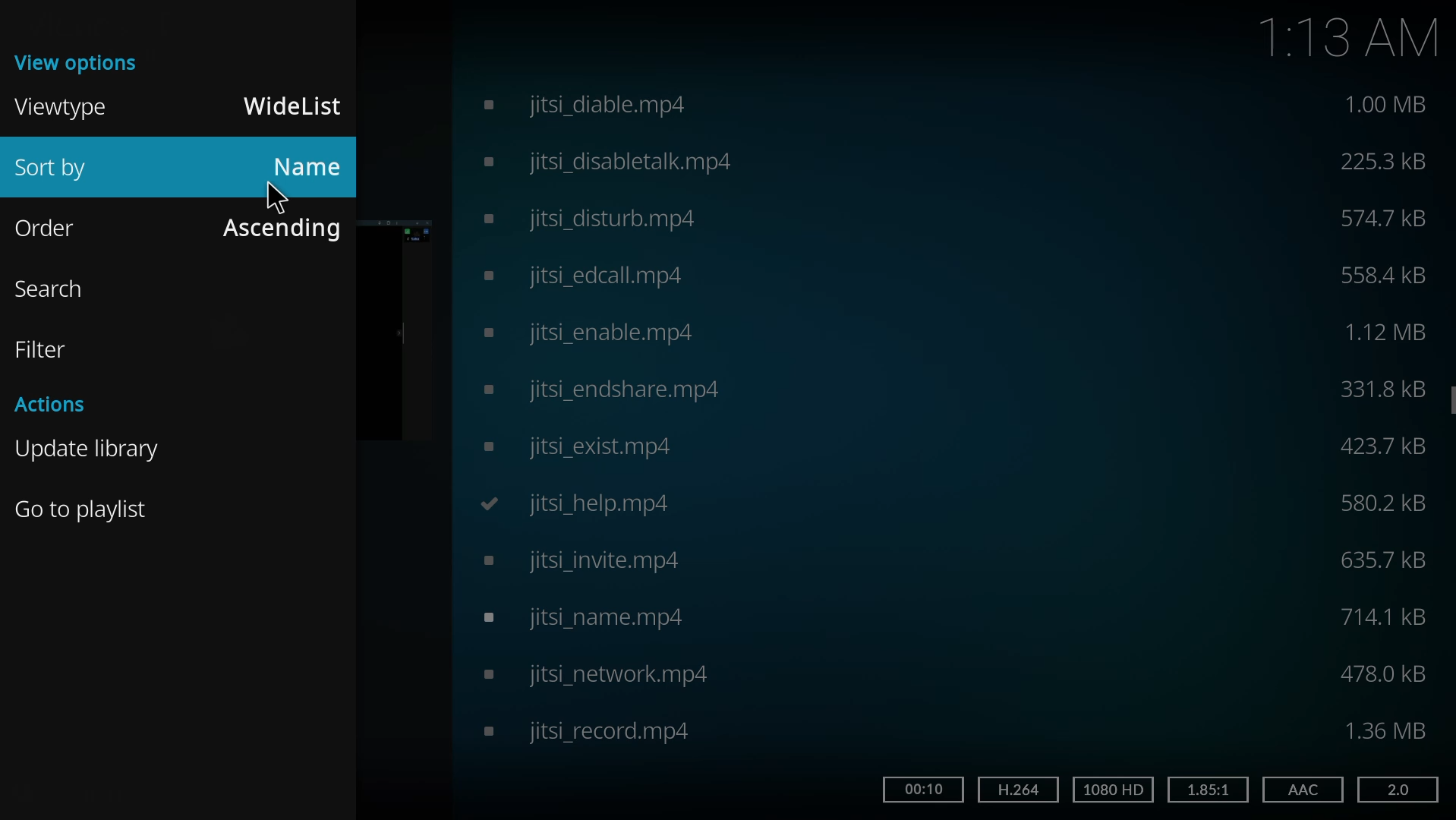  Describe the element at coordinates (575, 620) in the screenshot. I see `video` at that location.